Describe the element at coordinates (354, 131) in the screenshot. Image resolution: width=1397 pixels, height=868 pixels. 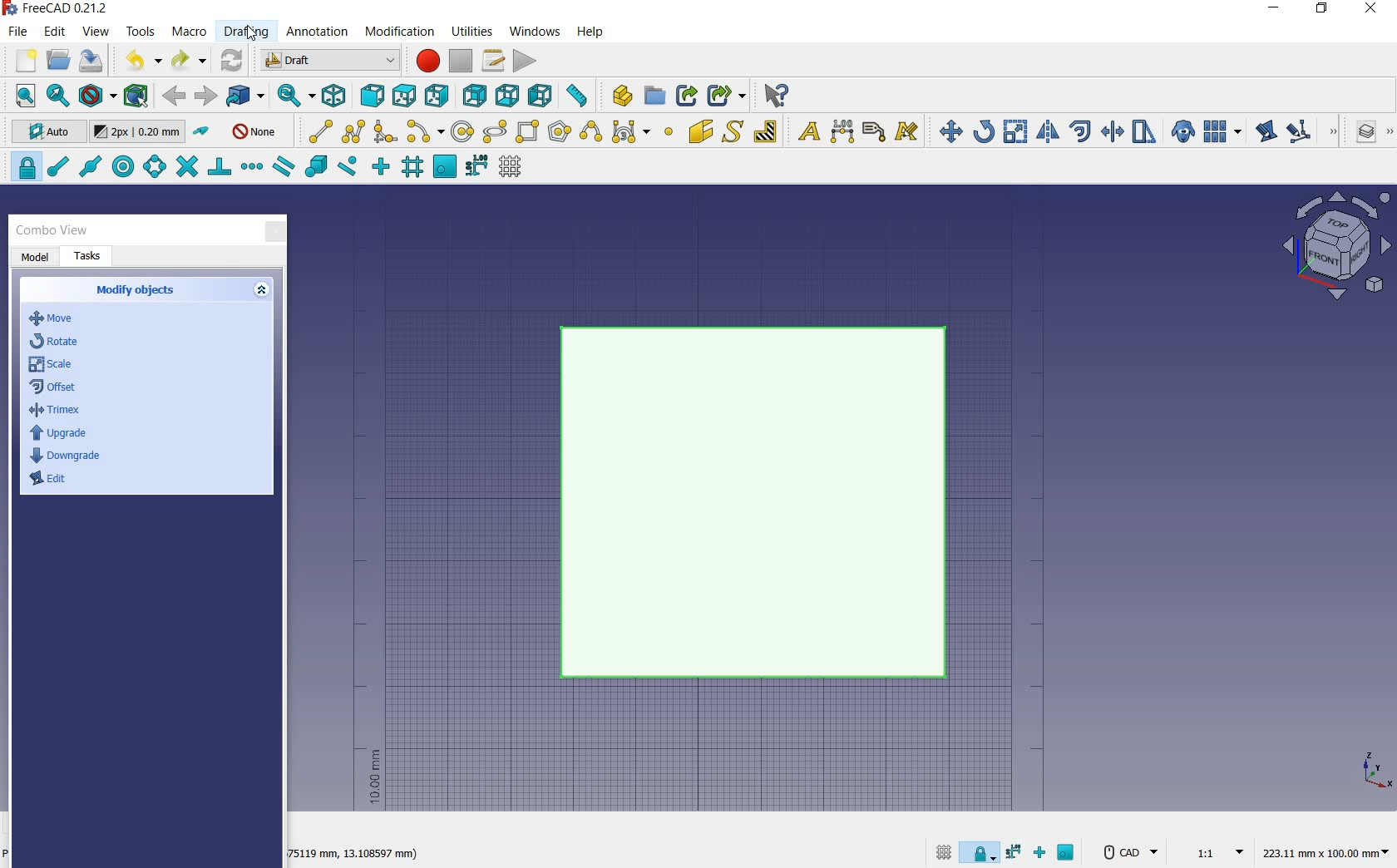
I see `polyline` at that location.